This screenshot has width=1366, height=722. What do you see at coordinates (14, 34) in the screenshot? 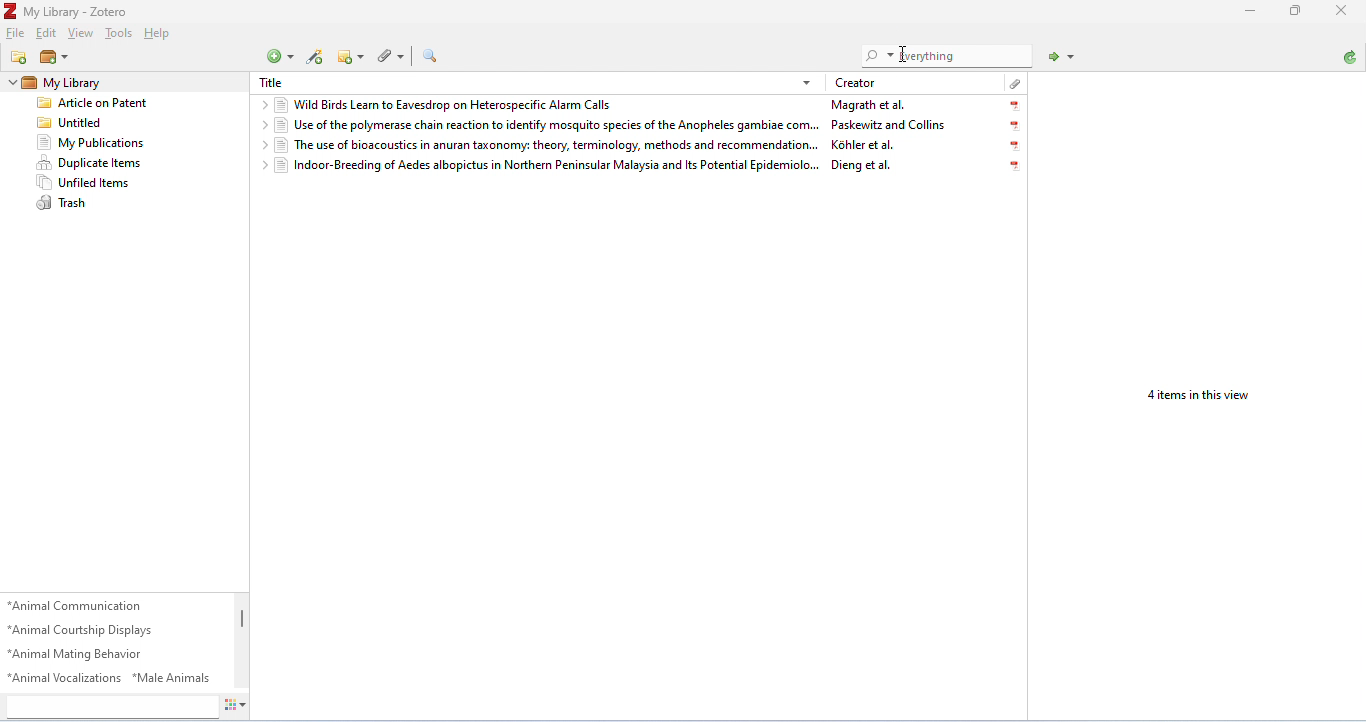
I see `File` at bounding box center [14, 34].